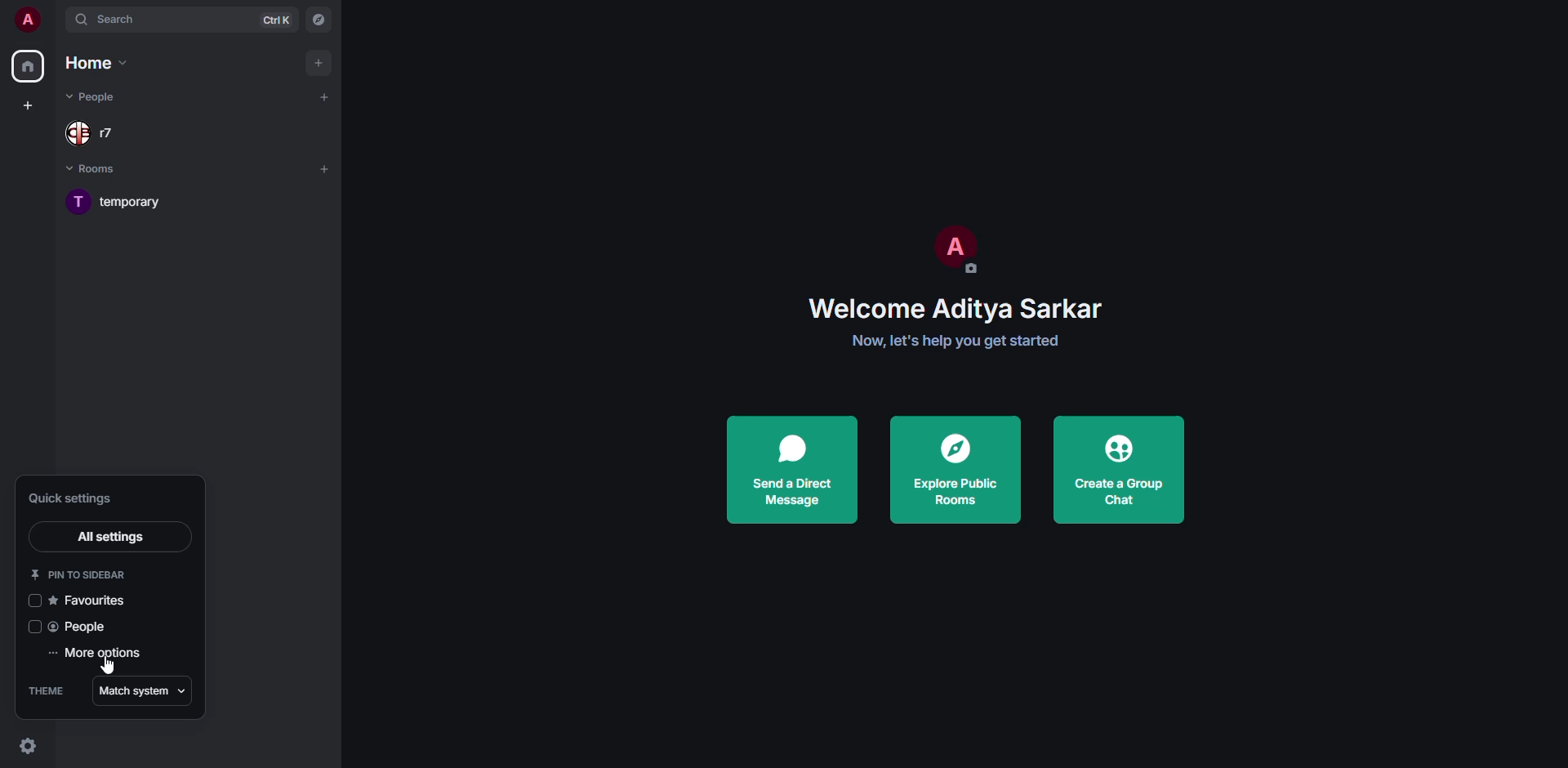 The image size is (1568, 768). I want to click on quick settings, so click(28, 745).